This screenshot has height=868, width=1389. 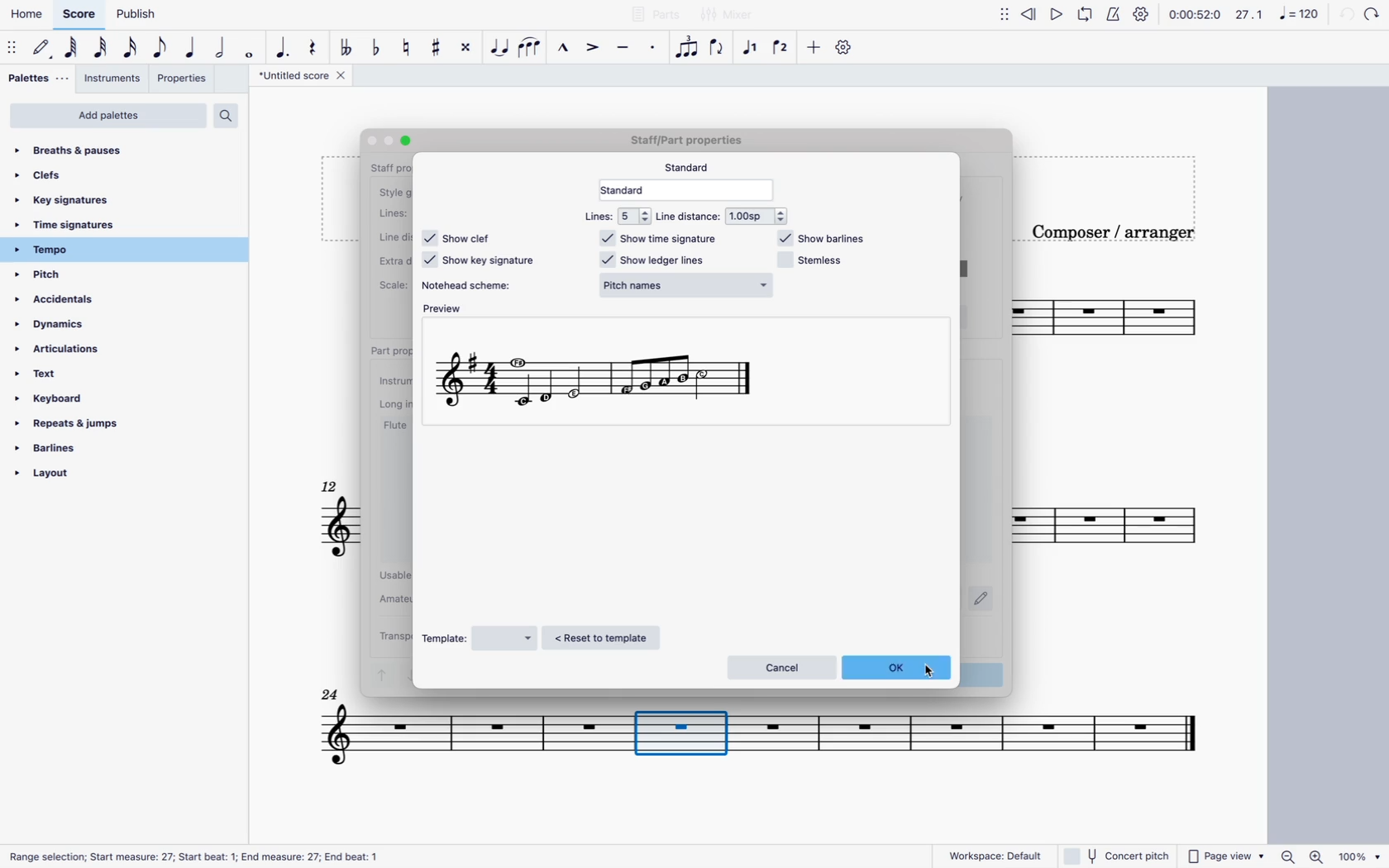 What do you see at coordinates (607, 638) in the screenshot?
I see `reset to template` at bounding box center [607, 638].